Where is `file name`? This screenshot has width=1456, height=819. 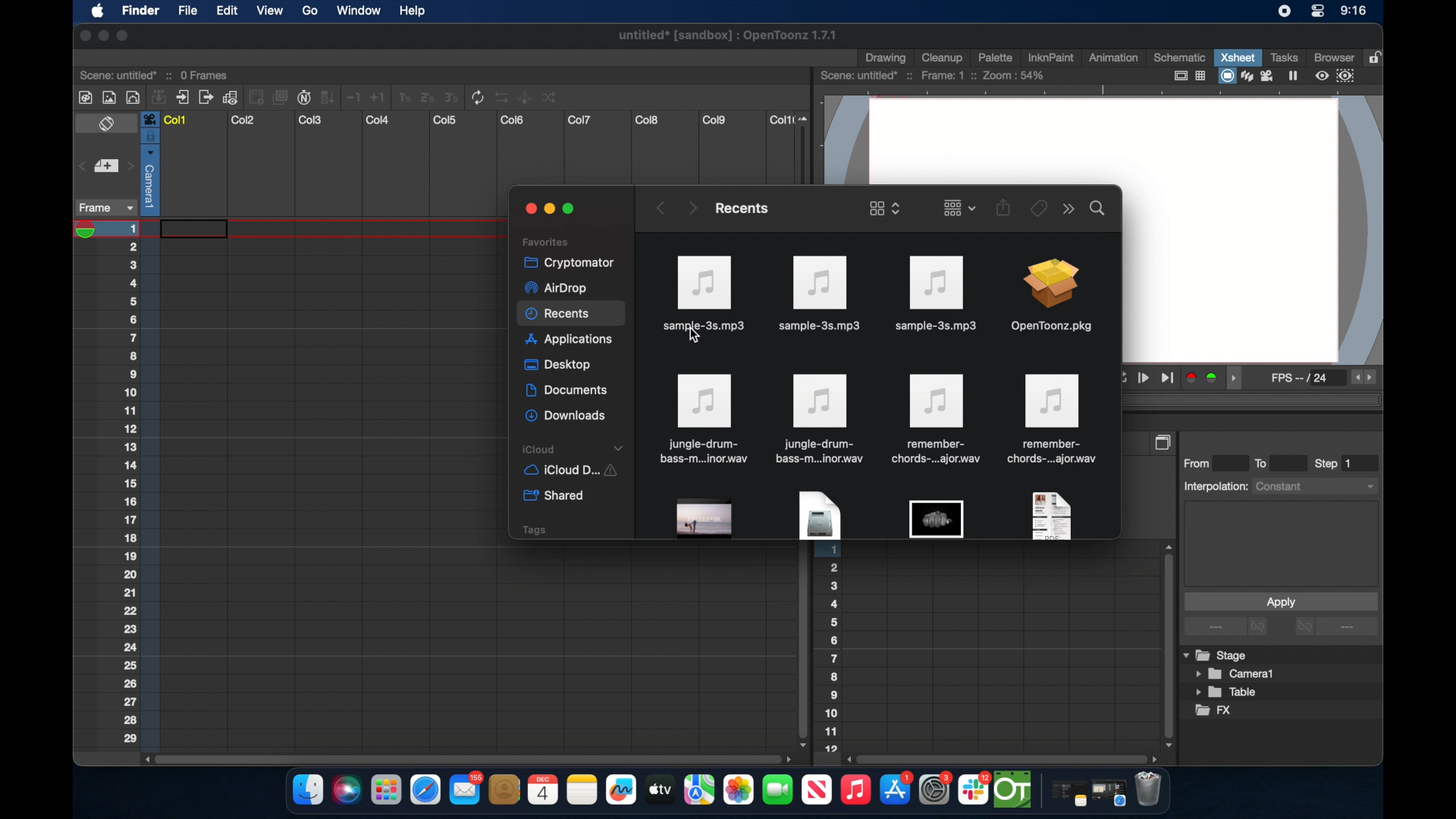 file name is located at coordinates (729, 38).